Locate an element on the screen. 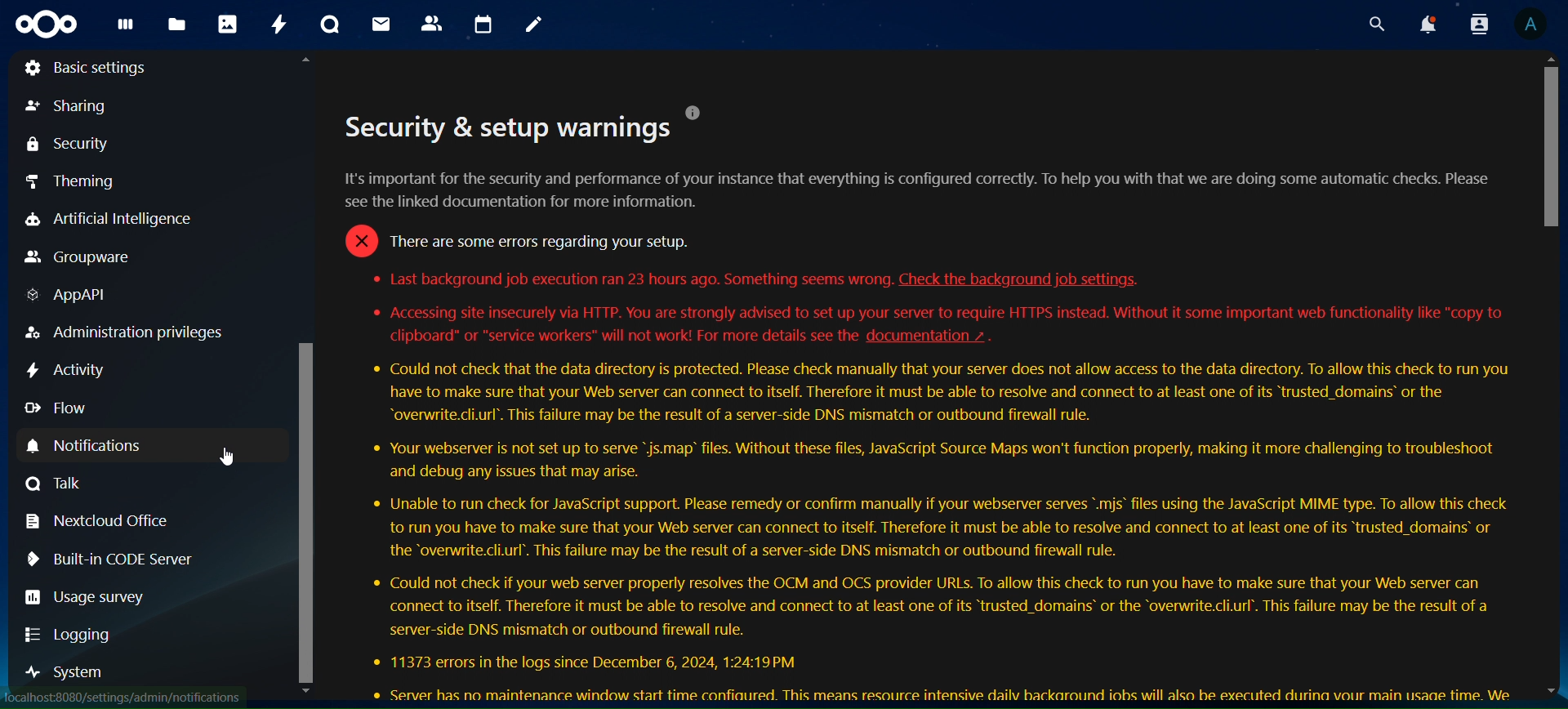  Scrollbar is located at coordinates (306, 375).